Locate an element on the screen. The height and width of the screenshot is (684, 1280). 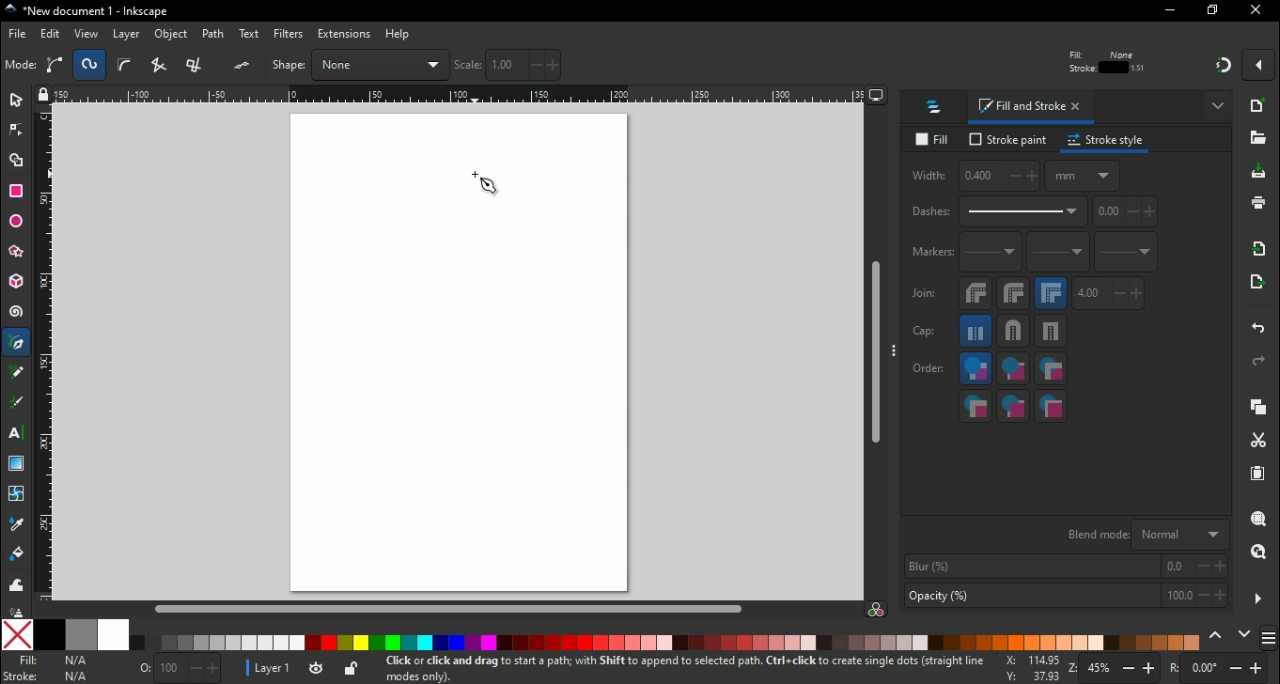
text is located at coordinates (250, 33).